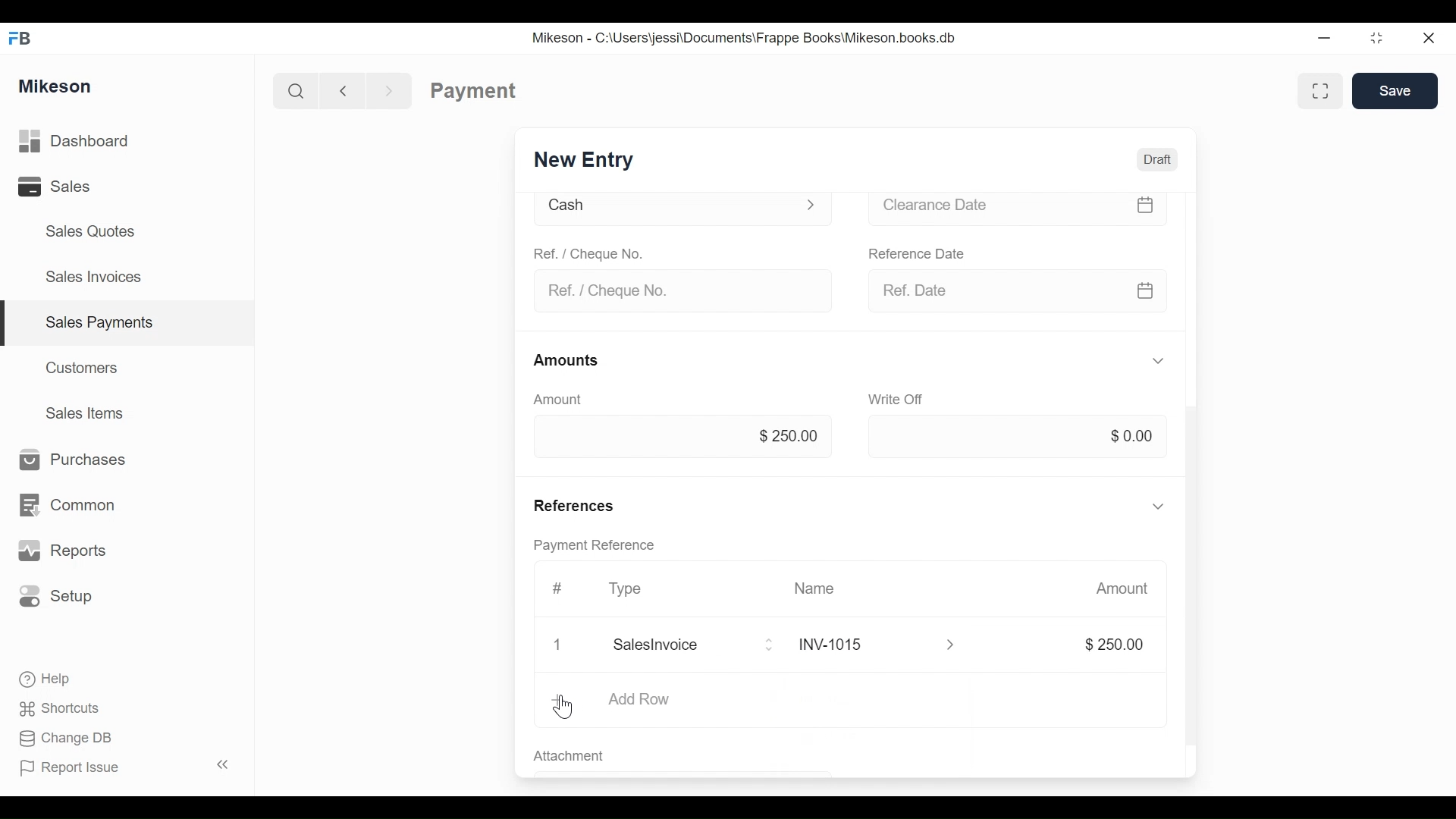  Describe the element at coordinates (226, 766) in the screenshot. I see `Collapse` at that location.